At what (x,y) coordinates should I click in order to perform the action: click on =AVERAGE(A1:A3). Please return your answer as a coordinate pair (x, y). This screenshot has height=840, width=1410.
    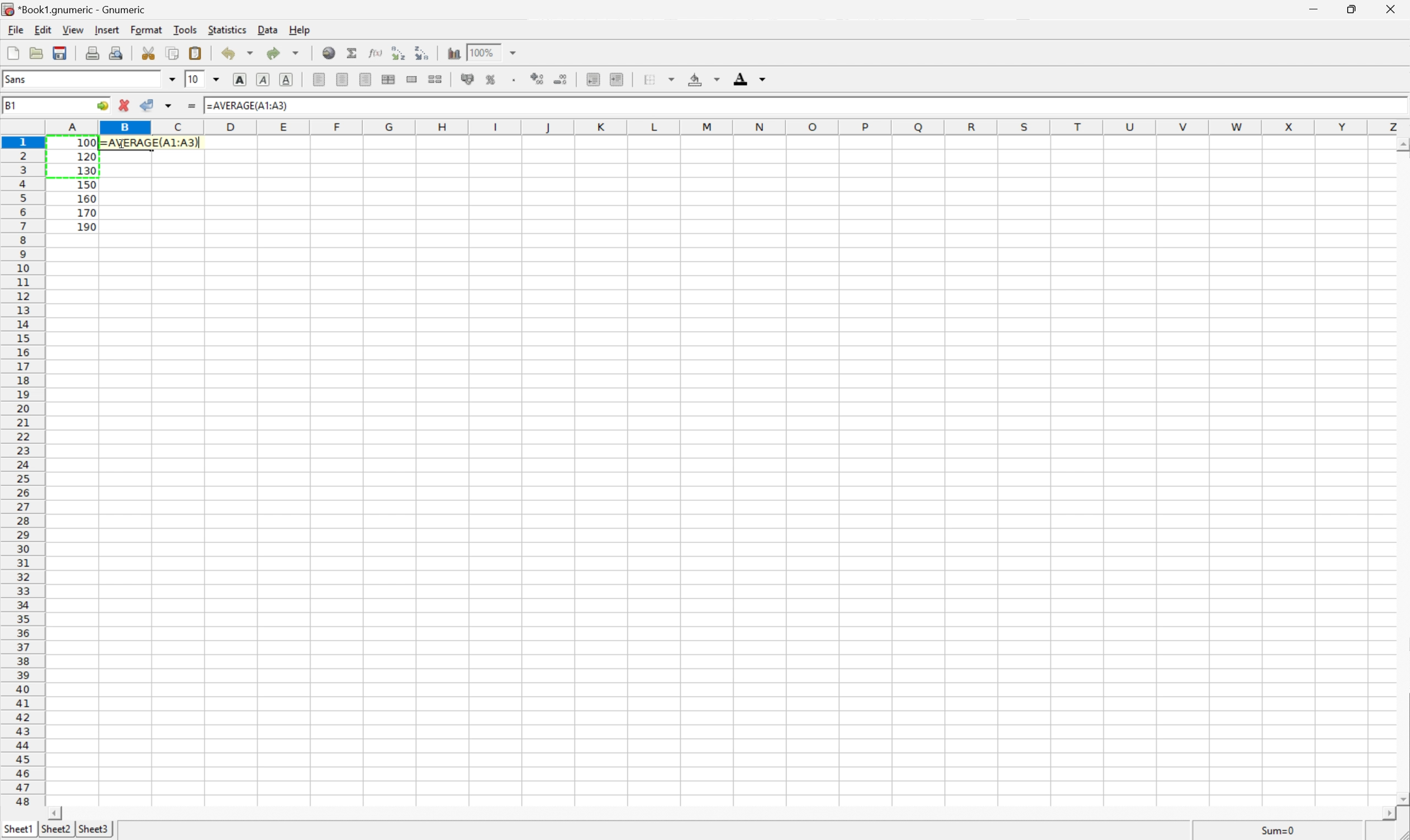
    Looking at the image, I should click on (248, 104).